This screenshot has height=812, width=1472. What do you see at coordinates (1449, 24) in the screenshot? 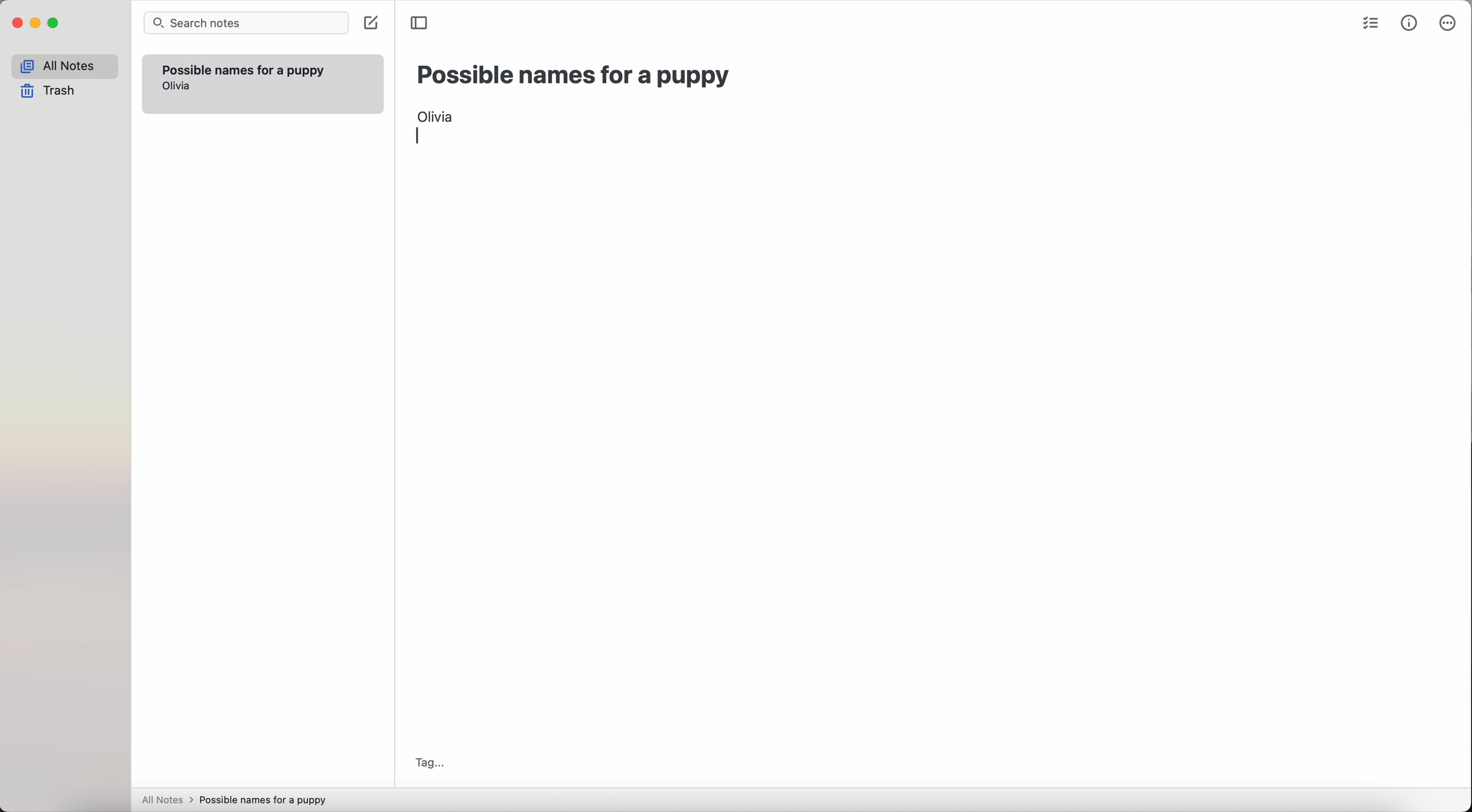
I see `more options` at bounding box center [1449, 24].